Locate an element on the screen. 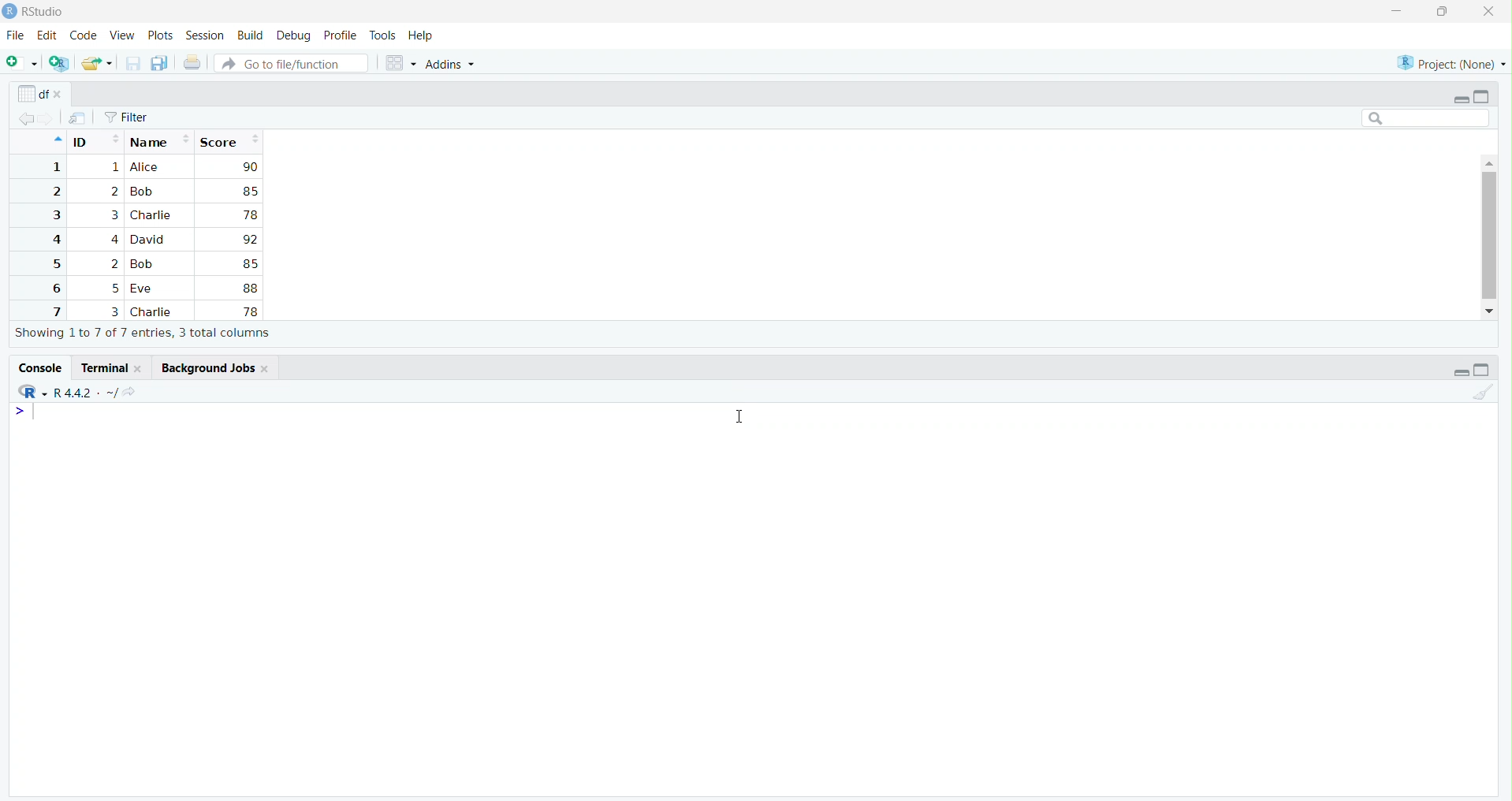 The height and width of the screenshot is (801, 1512). logo is located at coordinates (9, 12).